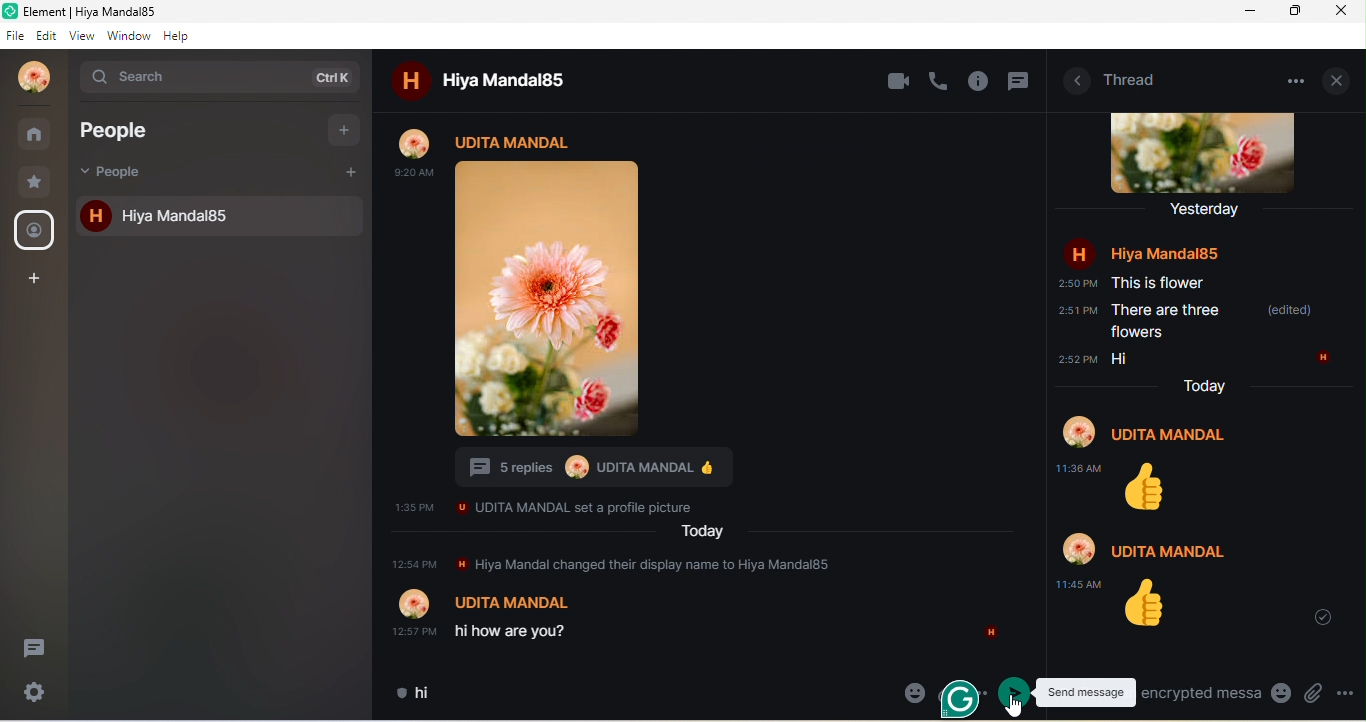 The width and height of the screenshot is (1366, 722). Describe the element at coordinates (577, 467) in the screenshot. I see `Profile picture` at that location.